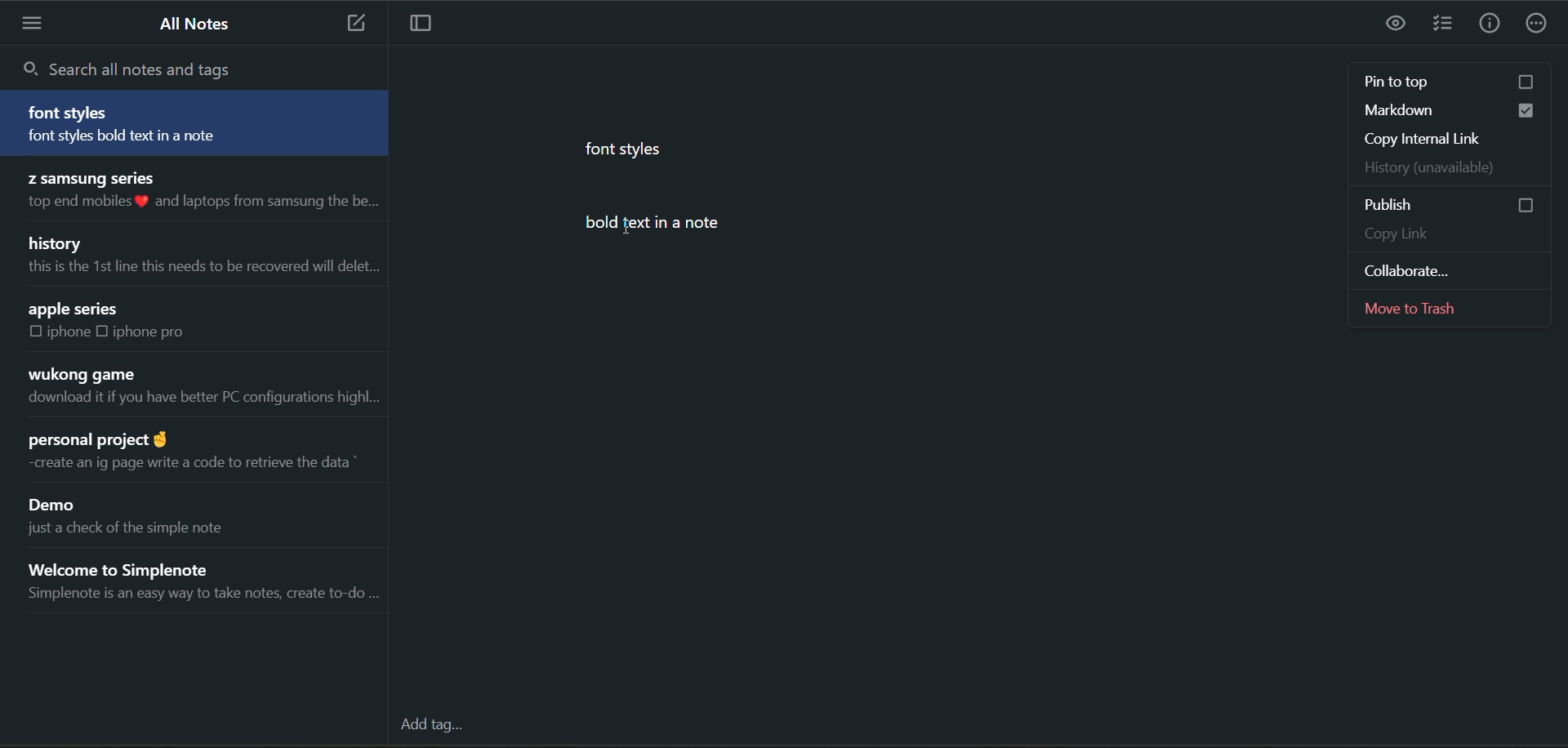 The height and width of the screenshot is (748, 1568). I want to click on checkbox, so click(1529, 111).